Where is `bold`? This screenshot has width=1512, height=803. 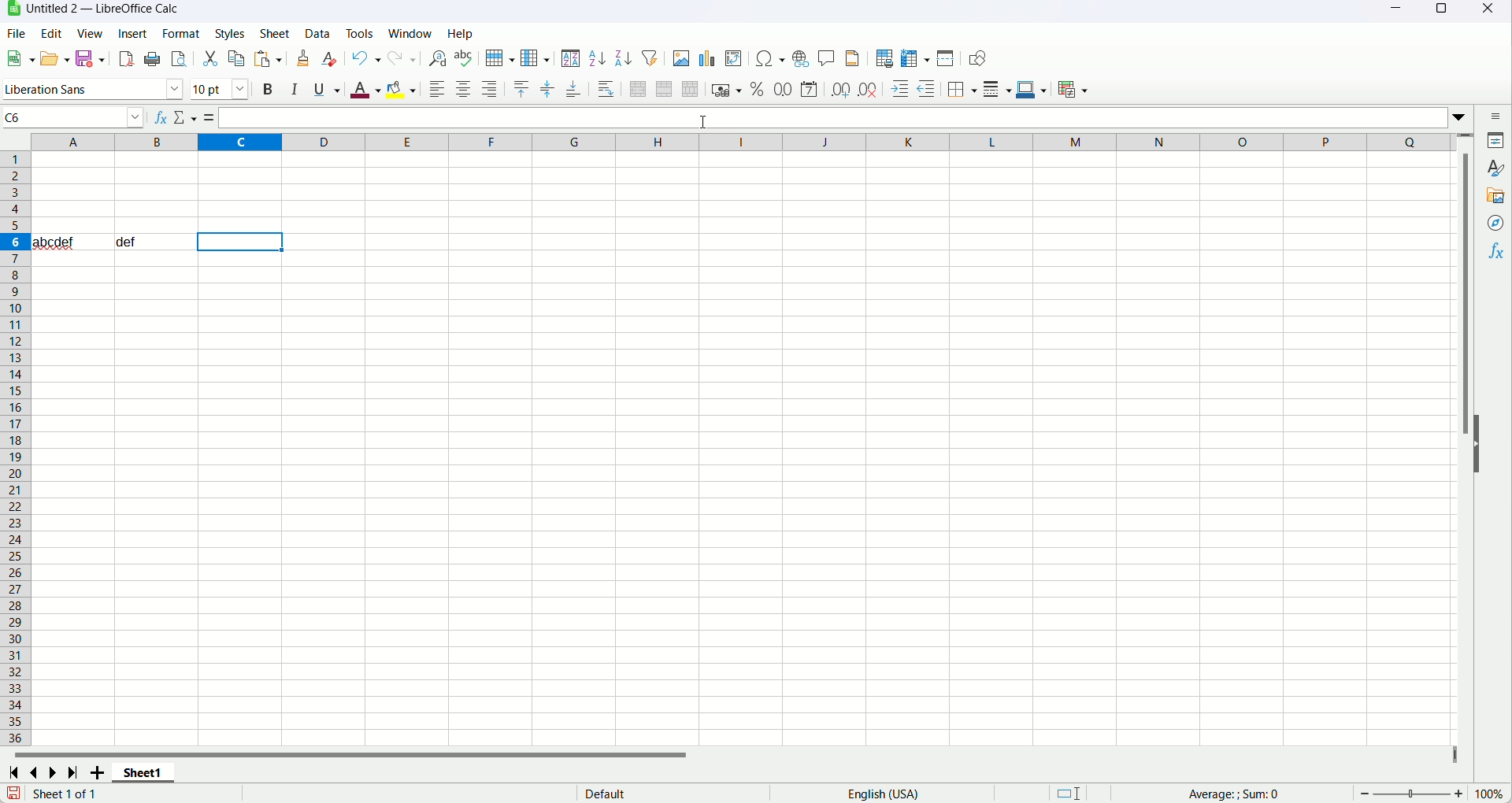
bold is located at coordinates (268, 88).